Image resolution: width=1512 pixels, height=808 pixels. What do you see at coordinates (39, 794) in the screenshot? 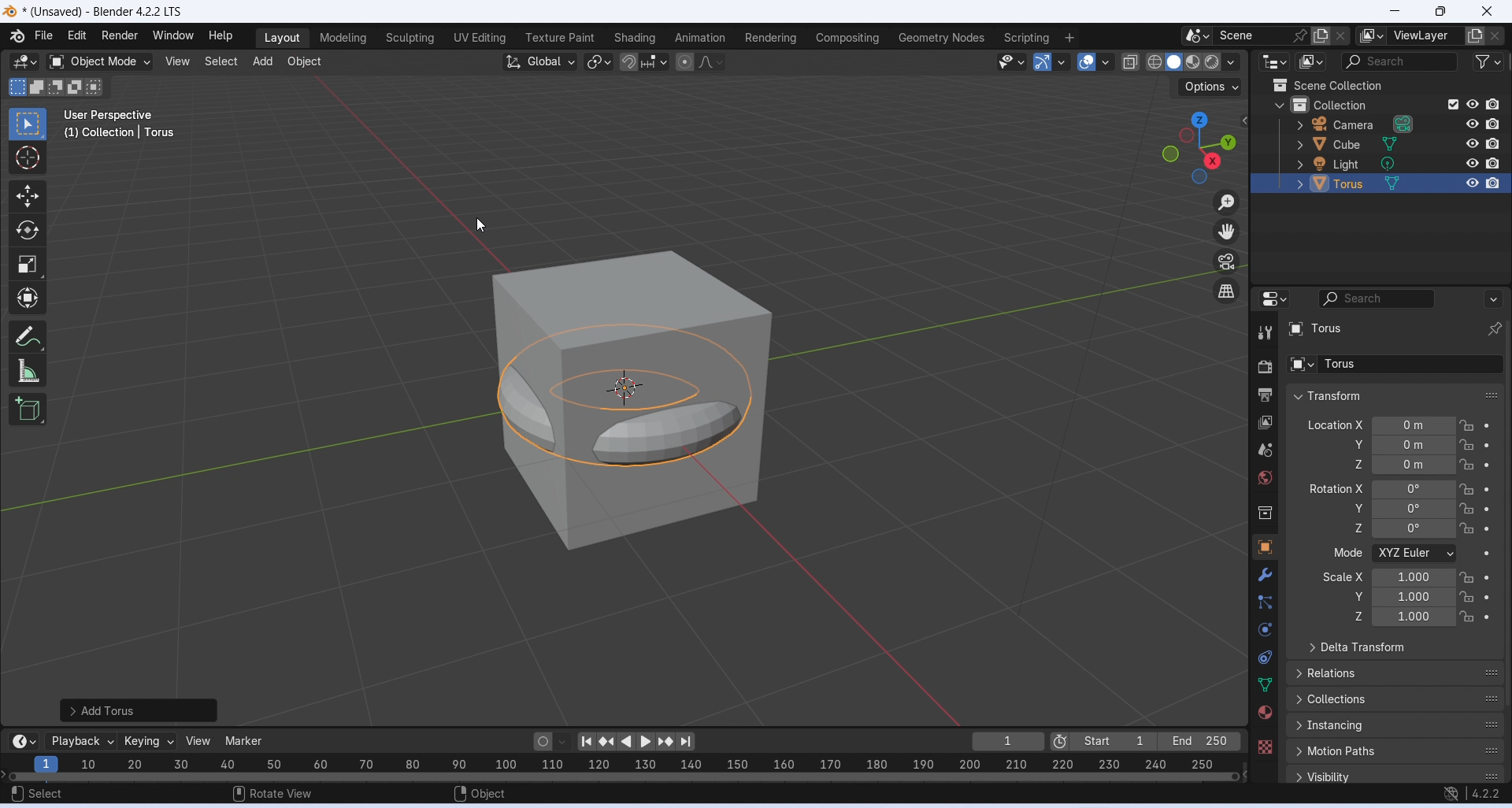
I see `select` at bounding box center [39, 794].